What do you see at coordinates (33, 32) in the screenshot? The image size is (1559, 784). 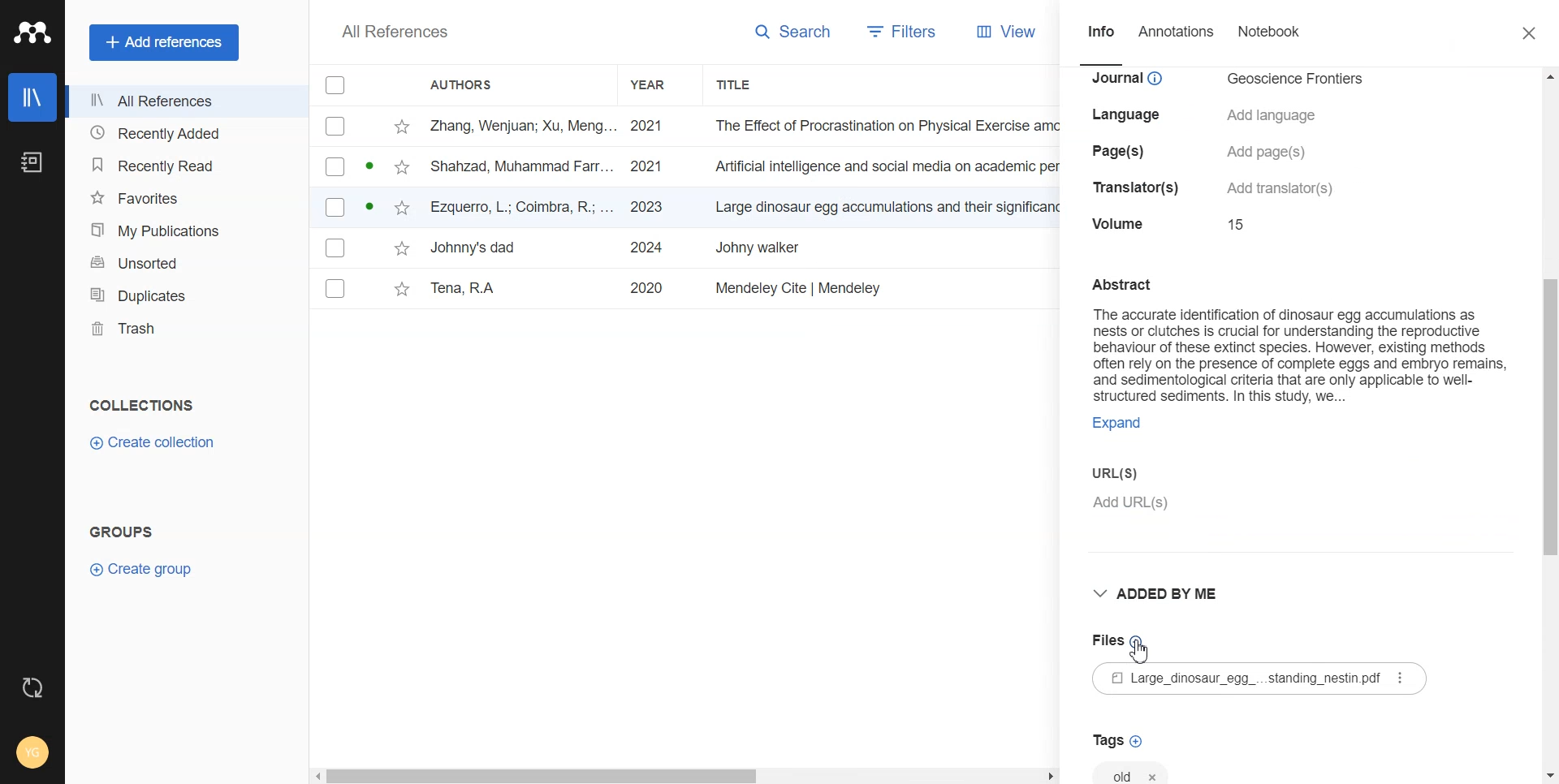 I see `Logo` at bounding box center [33, 32].